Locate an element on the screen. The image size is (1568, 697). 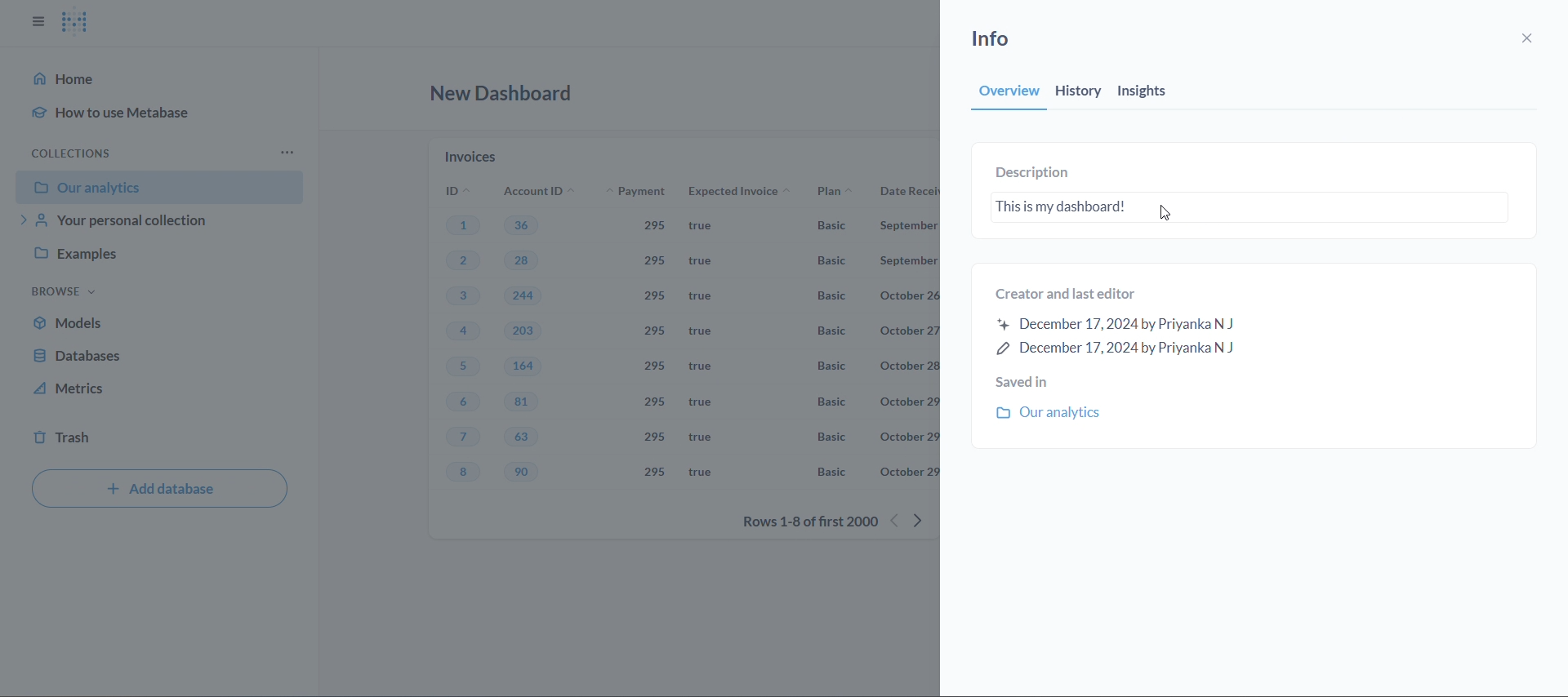
295 is located at coordinates (656, 295).